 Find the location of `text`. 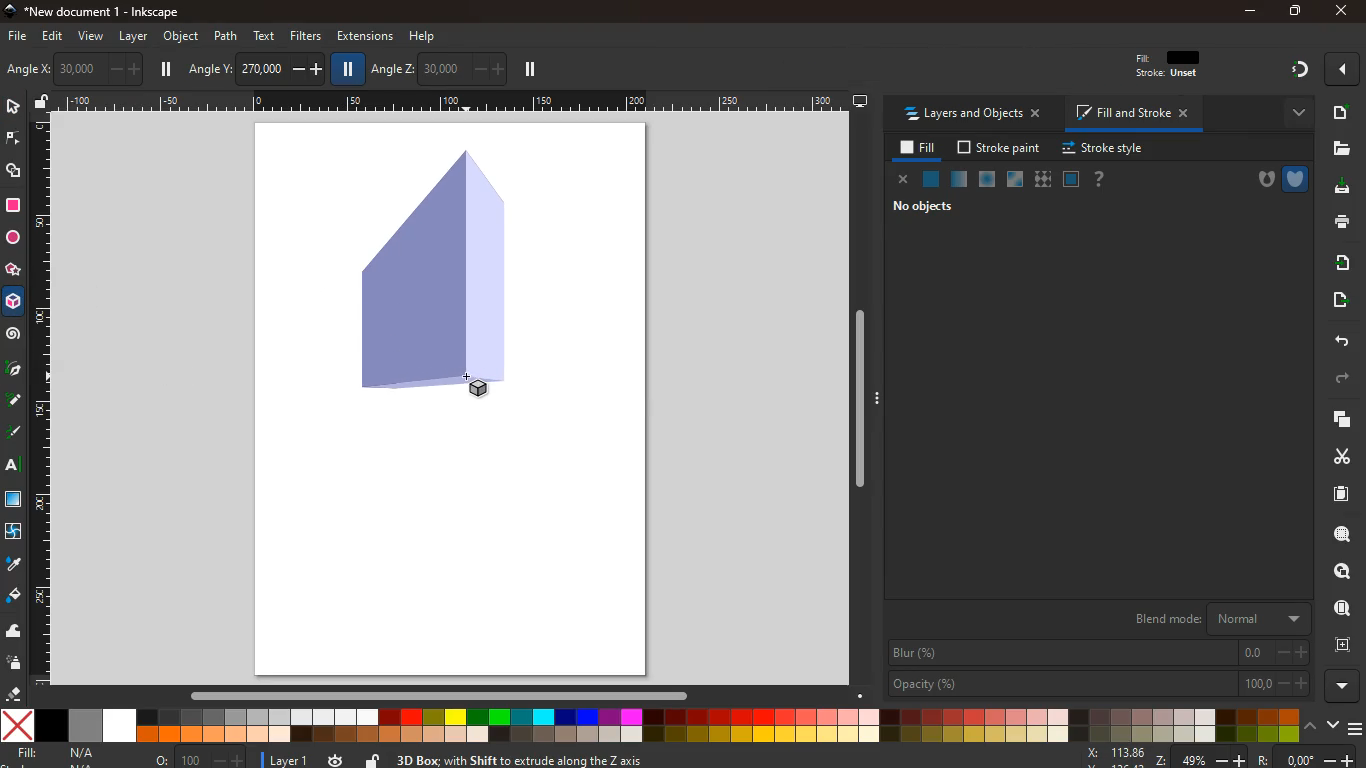

text is located at coordinates (266, 35).